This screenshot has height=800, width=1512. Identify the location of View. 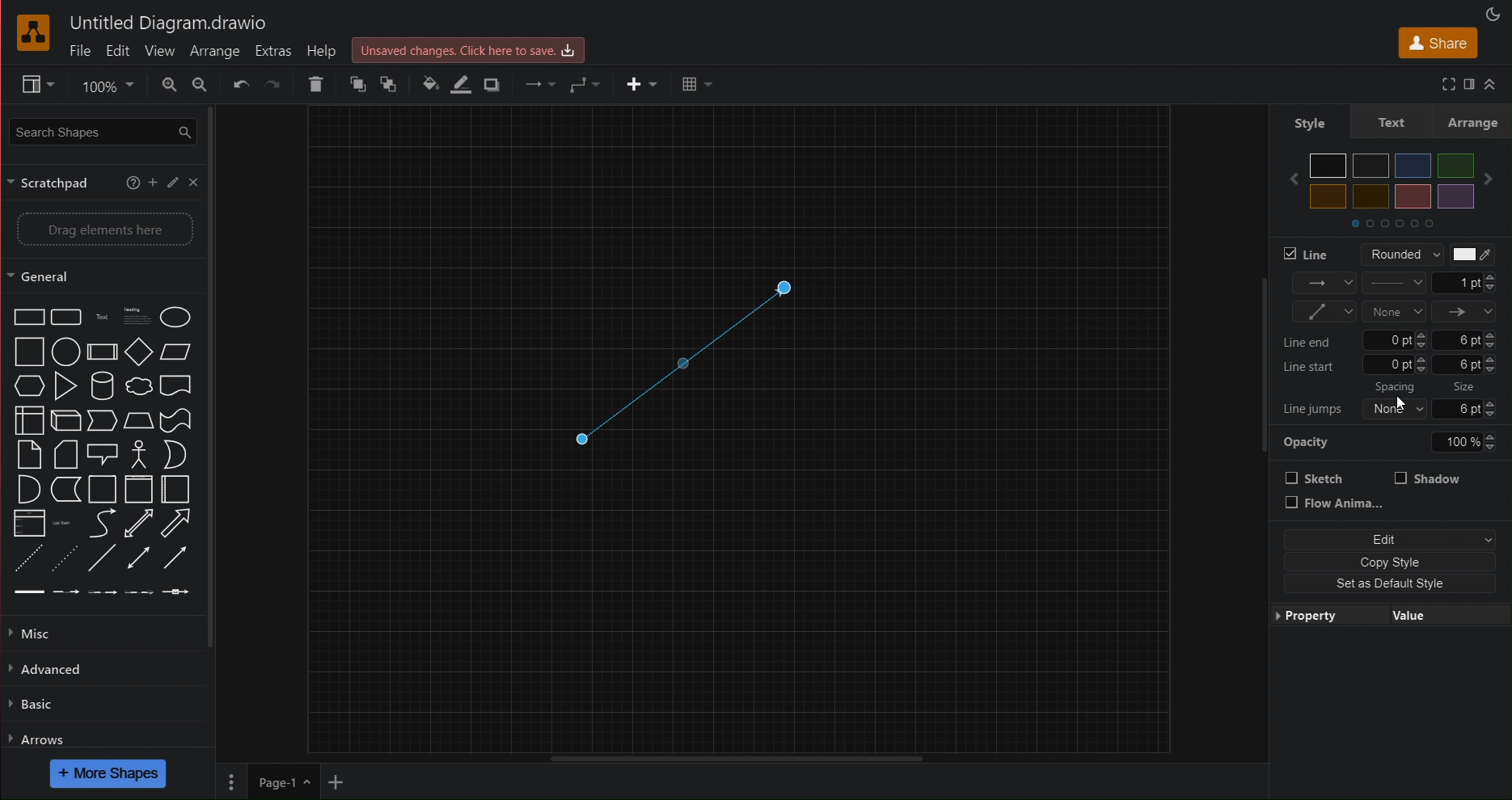
(158, 51).